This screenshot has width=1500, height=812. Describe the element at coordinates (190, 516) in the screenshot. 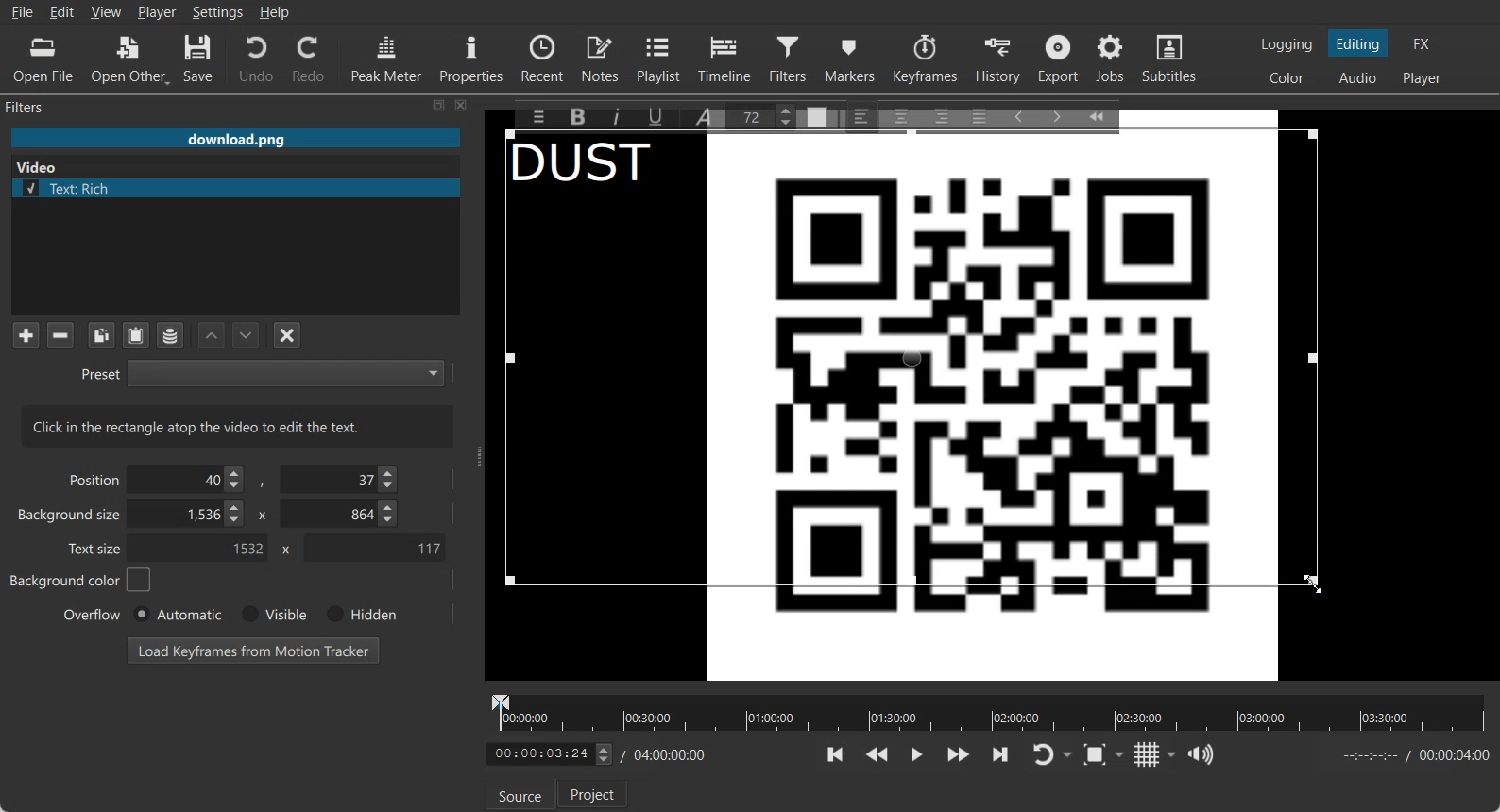

I see `Background size X- Coordinate` at that location.